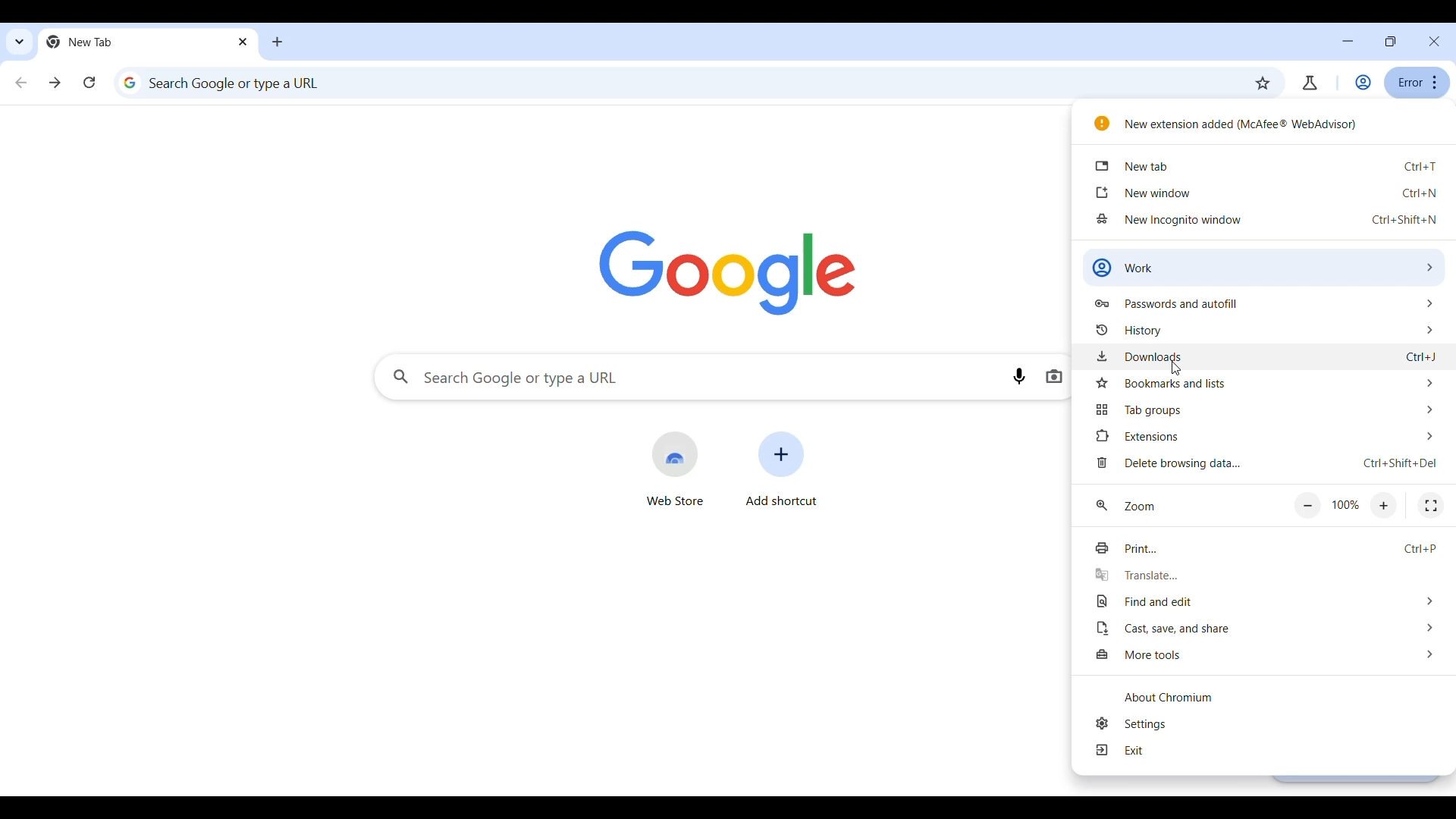 The image size is (1456, 819). I want to click on Minimize, so click(1348, 41).